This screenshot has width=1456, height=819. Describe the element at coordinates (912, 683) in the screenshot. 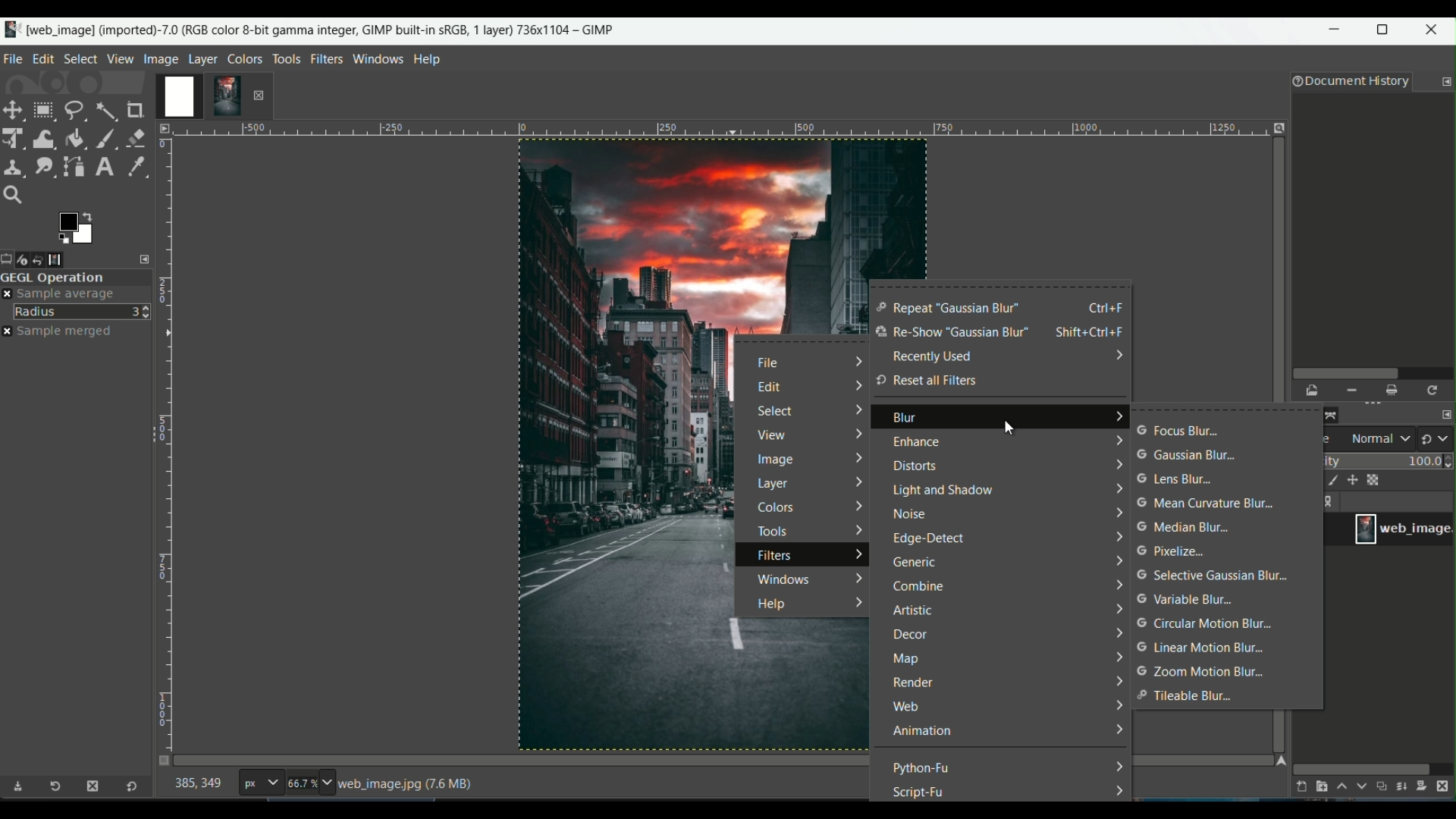

I see `render` at that location.